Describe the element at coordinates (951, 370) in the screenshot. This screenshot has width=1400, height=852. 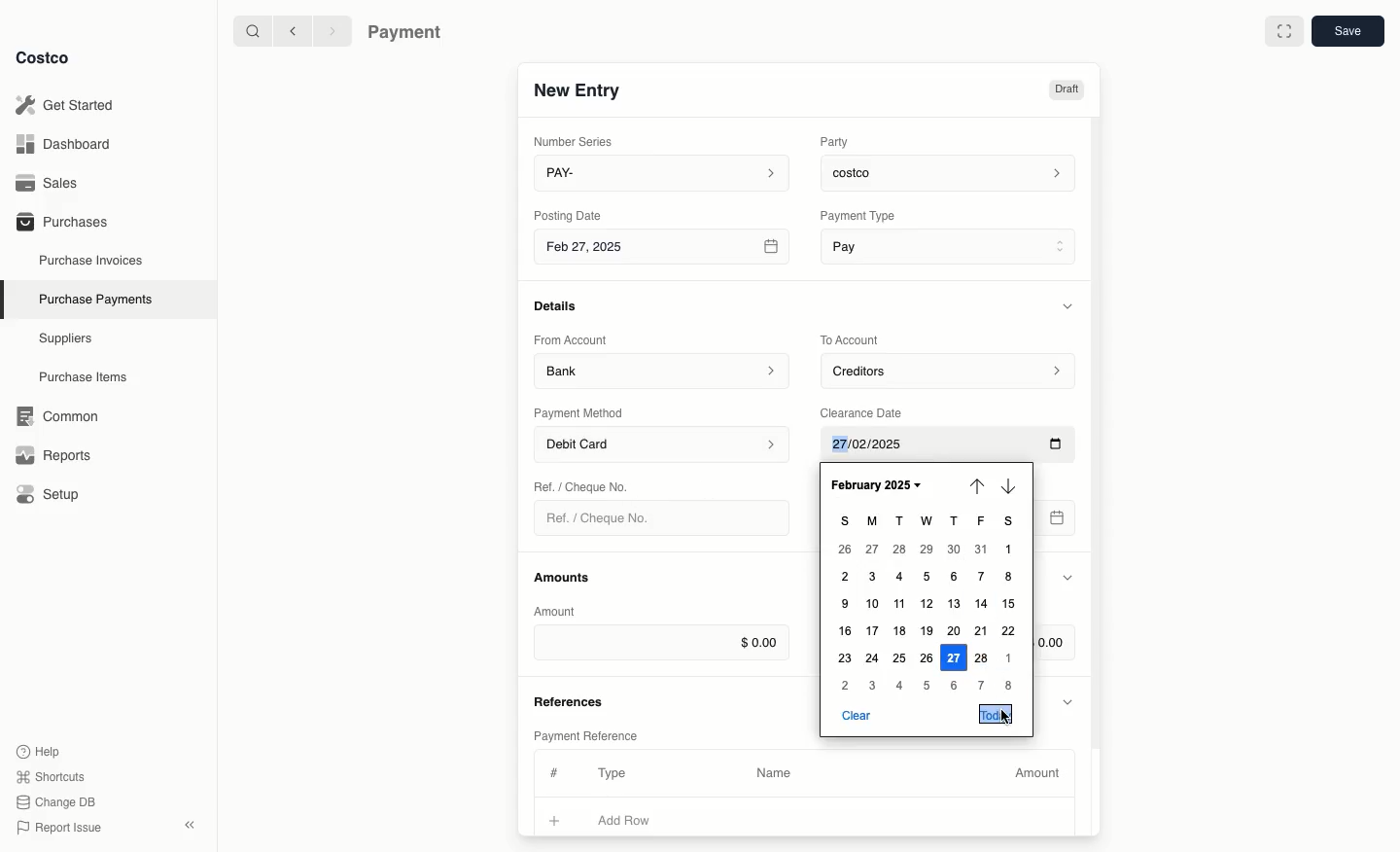
I see `Creditors` at that location.